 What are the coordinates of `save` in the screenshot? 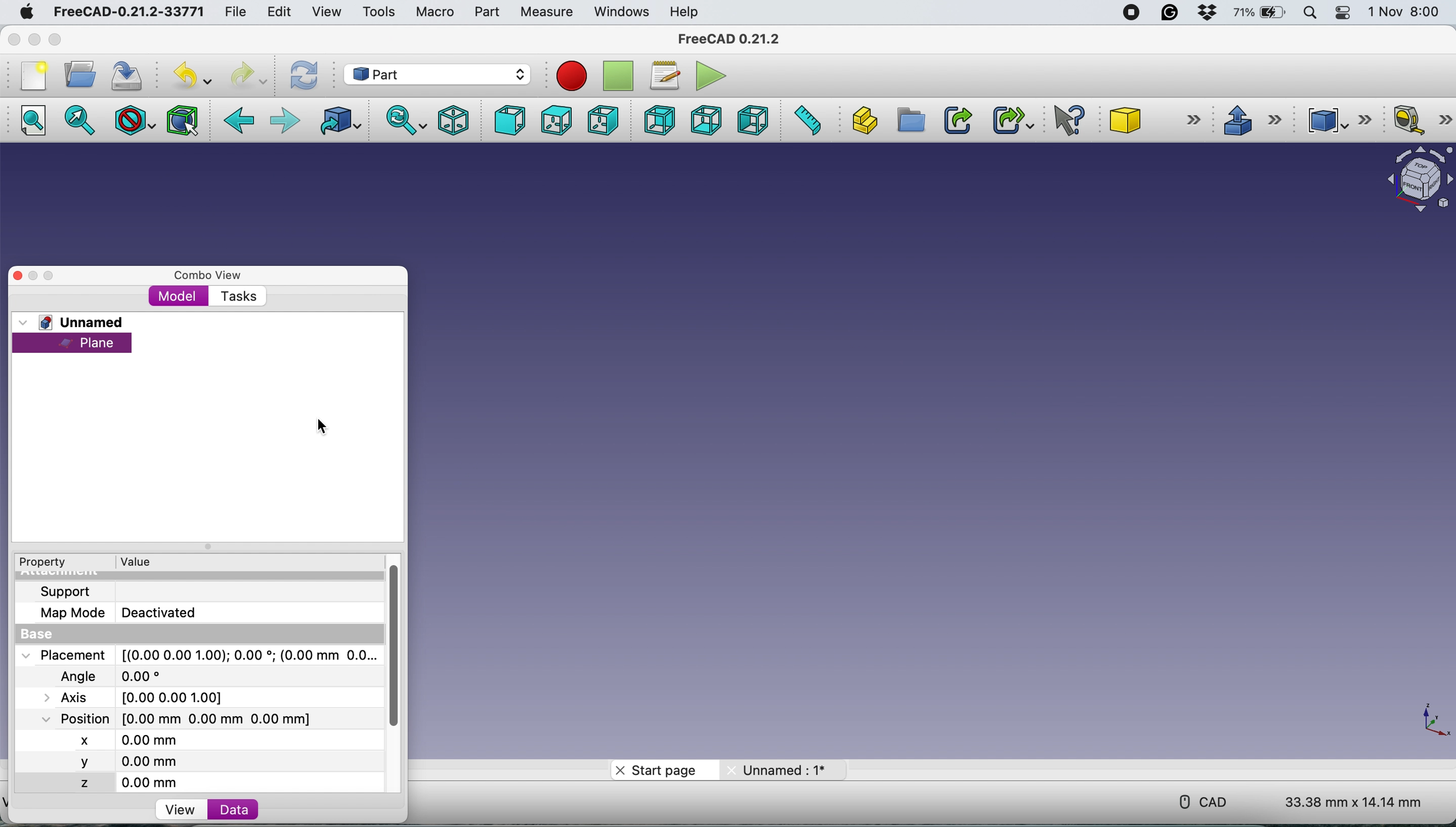 It's located at (126, 76).